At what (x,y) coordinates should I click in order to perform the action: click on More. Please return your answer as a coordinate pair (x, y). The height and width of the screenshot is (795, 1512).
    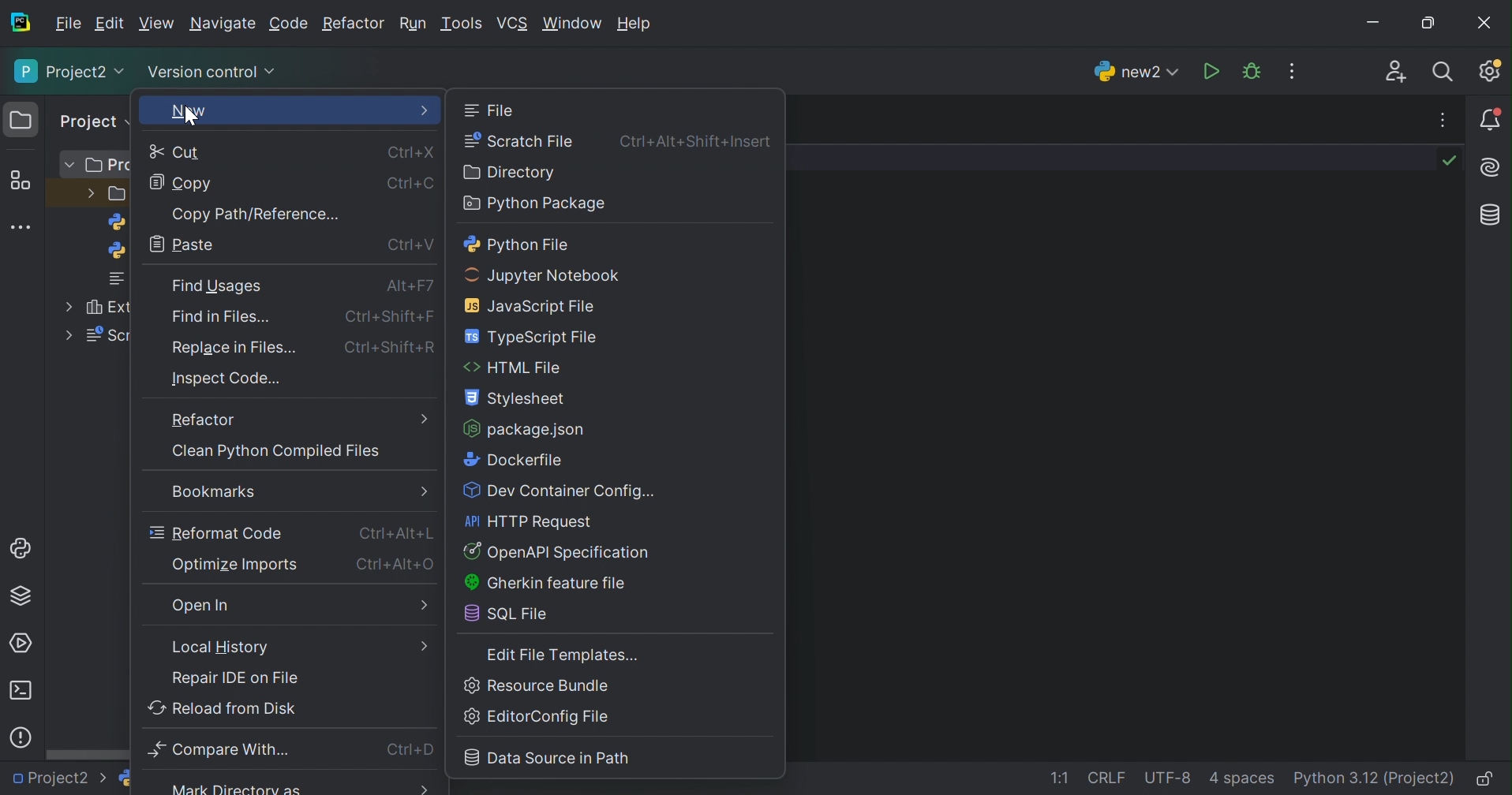
    Looking at the image, I should click on (69, 334).